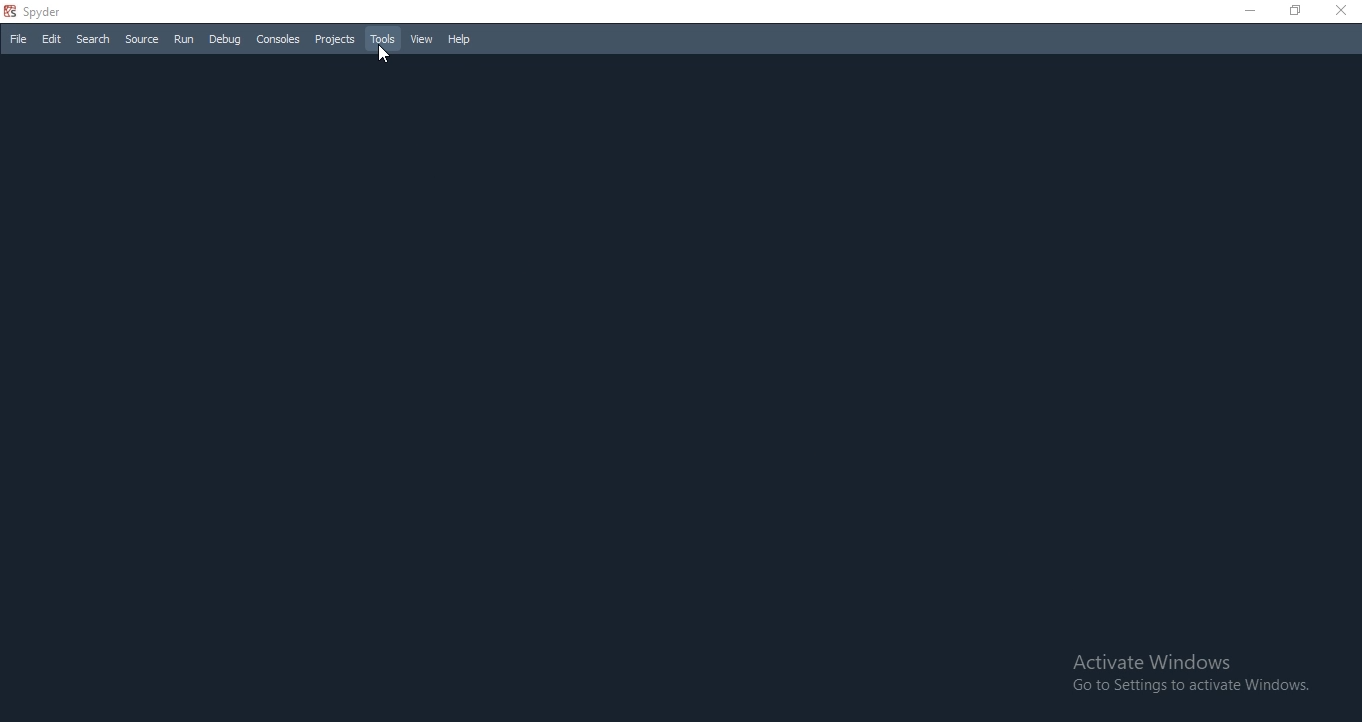  Describe the element at coordinates (334, 40) in the screenshot. I see `Projects` at that location.